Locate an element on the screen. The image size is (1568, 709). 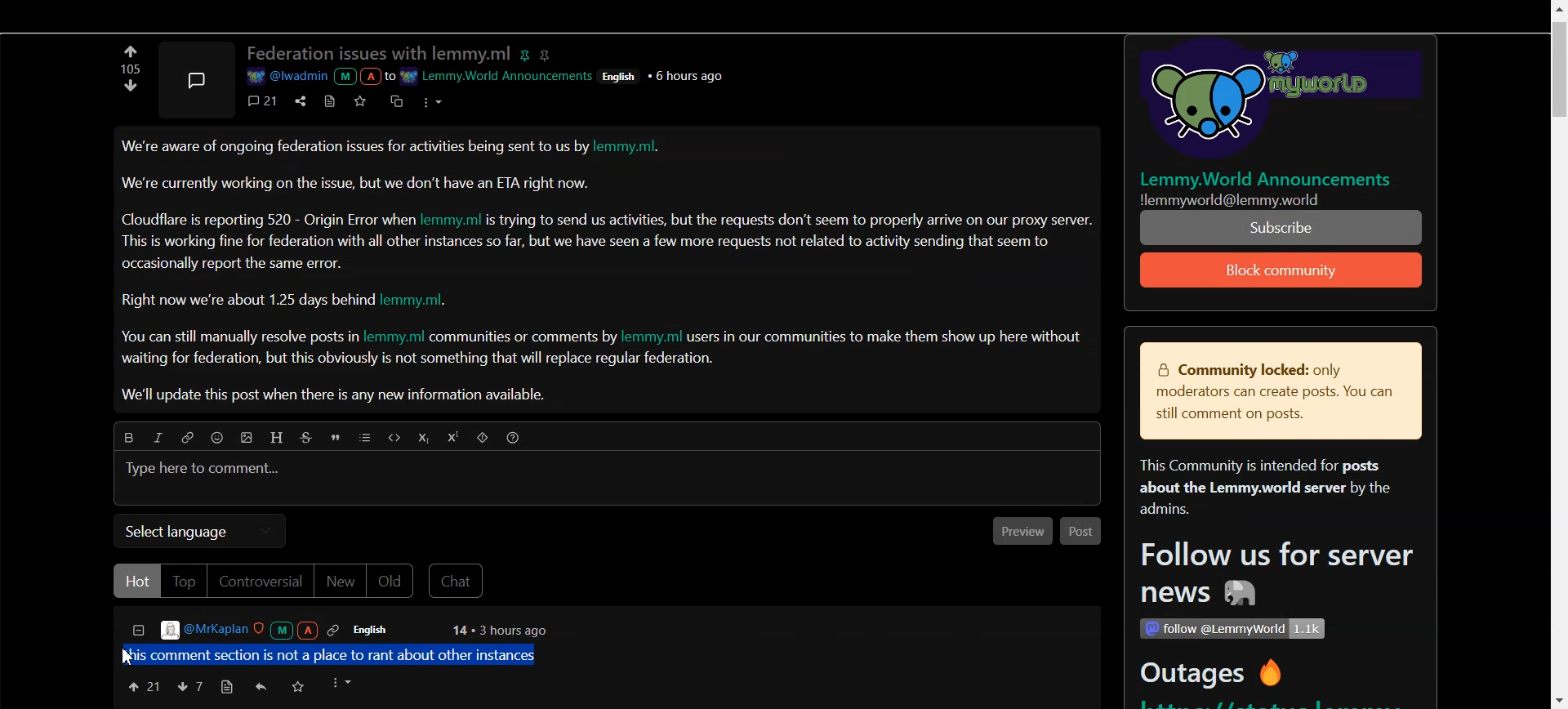
Controversial is located at coordinates (260, 582).